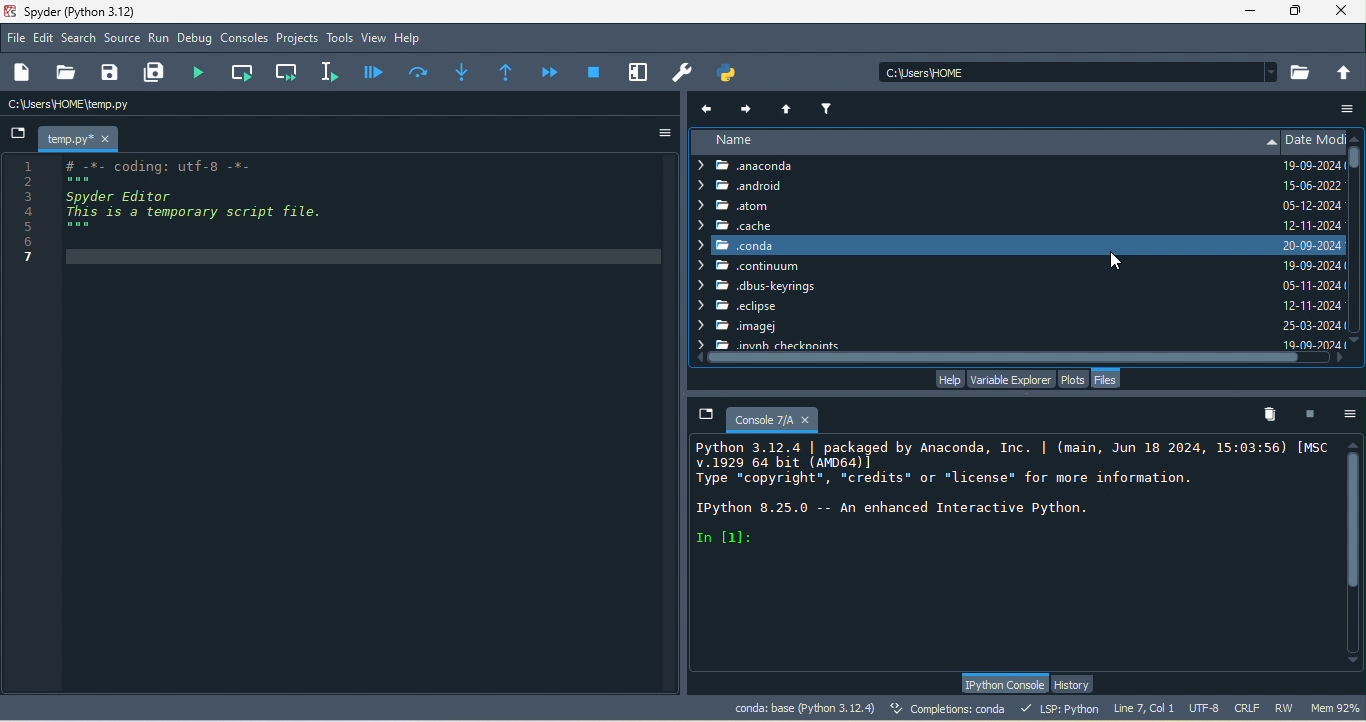  What do you see at coordinates (374, 38) in the screenshot?
I see `view` at bounding box center [374, 38].